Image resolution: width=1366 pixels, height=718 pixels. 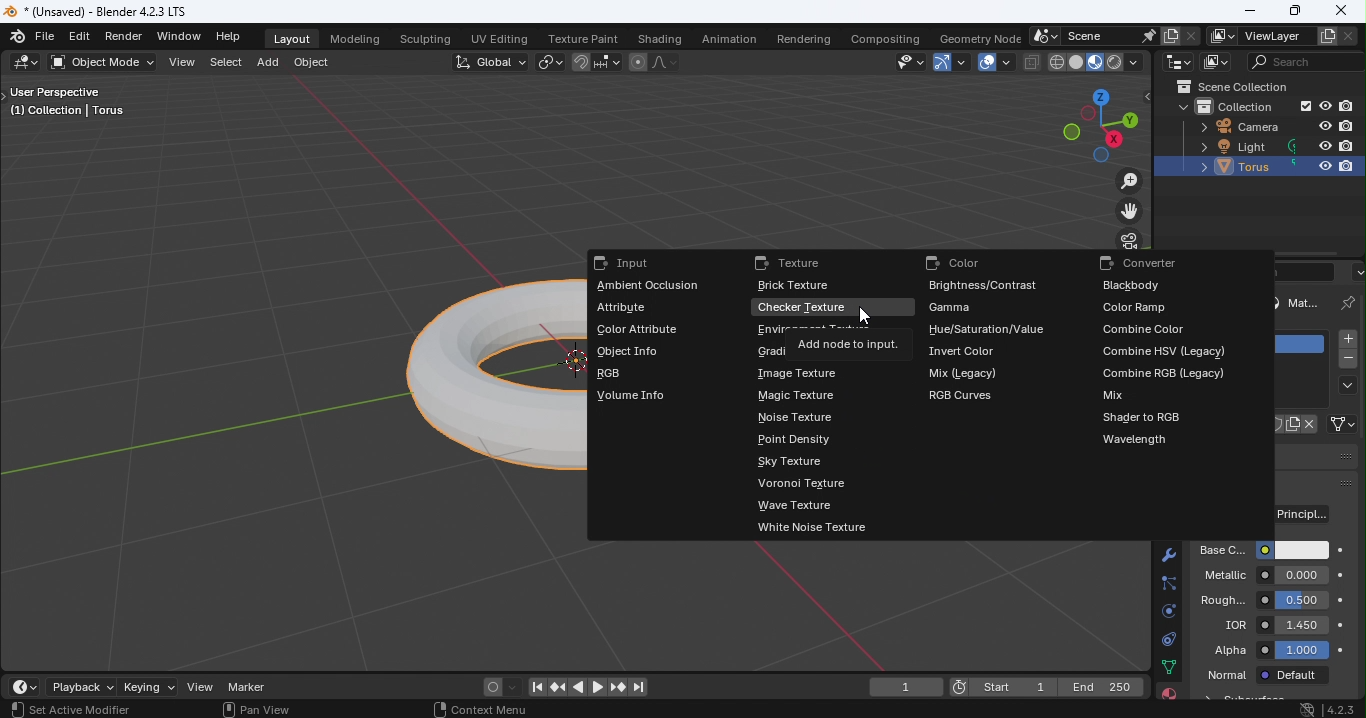 What do you see at coordinates (1190, 35) in the screenshot?
I see `Delete scene` at bounding box center [1190, 35].